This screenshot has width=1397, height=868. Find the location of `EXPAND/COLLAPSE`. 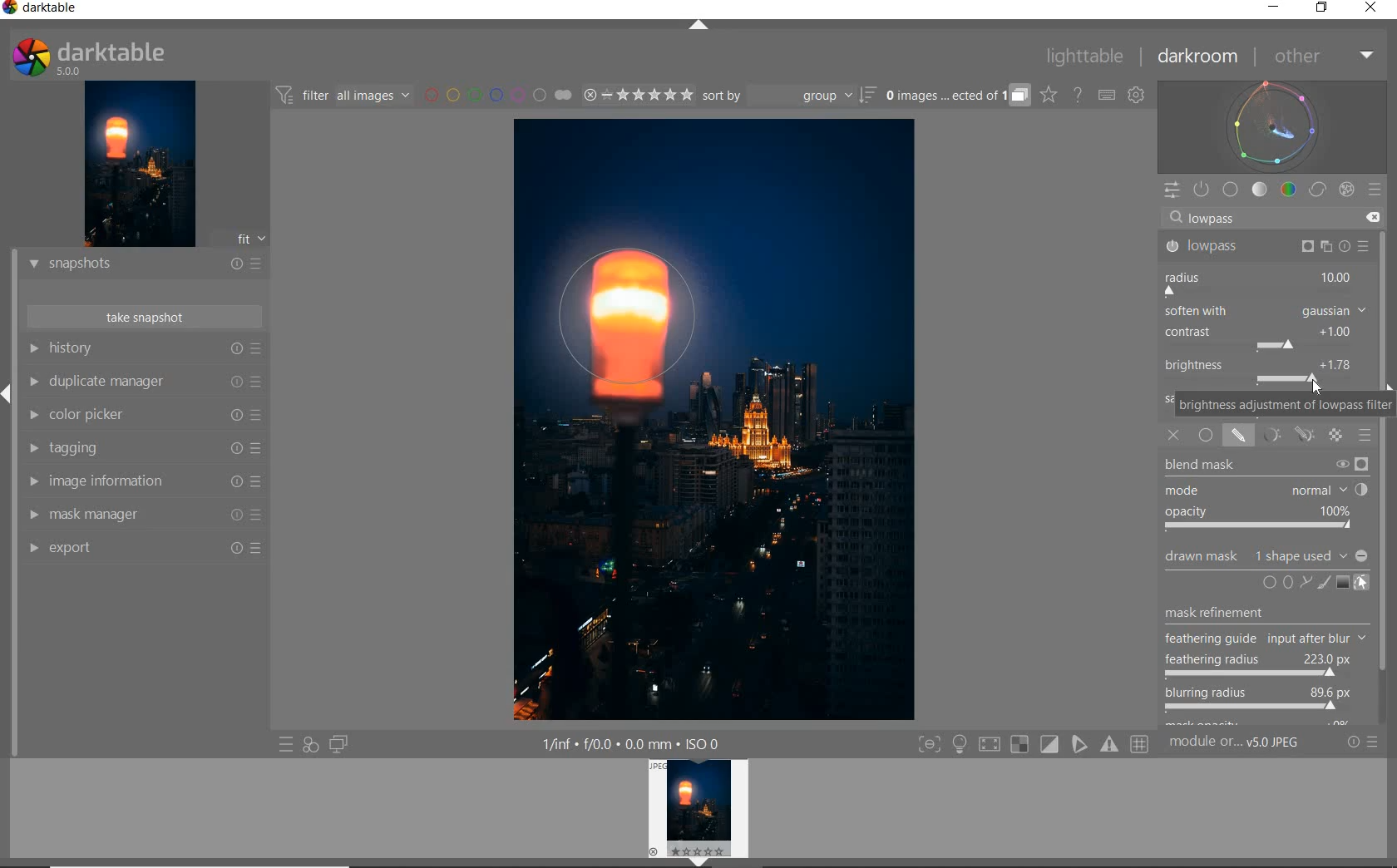

EXPAND/COLLAPSE is located at coordinates (8, 391).